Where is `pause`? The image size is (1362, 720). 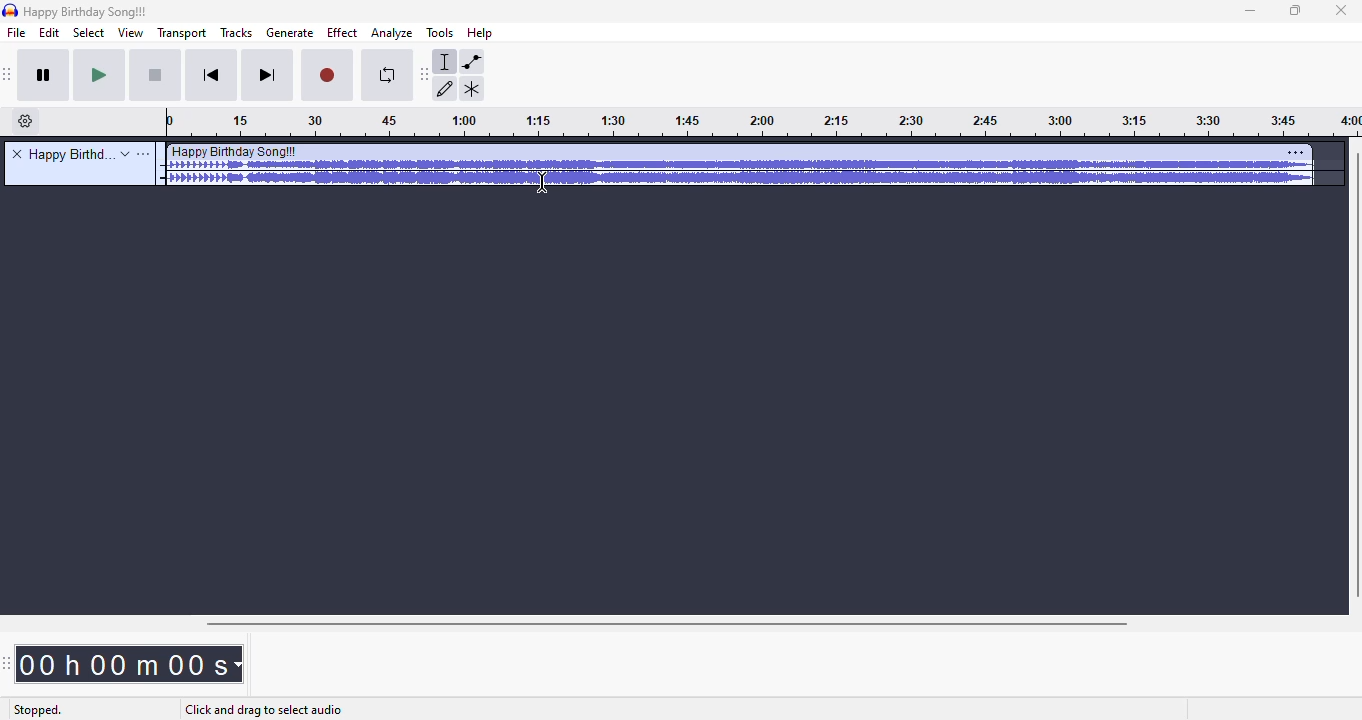
pause is located at coordinates (47, 77).